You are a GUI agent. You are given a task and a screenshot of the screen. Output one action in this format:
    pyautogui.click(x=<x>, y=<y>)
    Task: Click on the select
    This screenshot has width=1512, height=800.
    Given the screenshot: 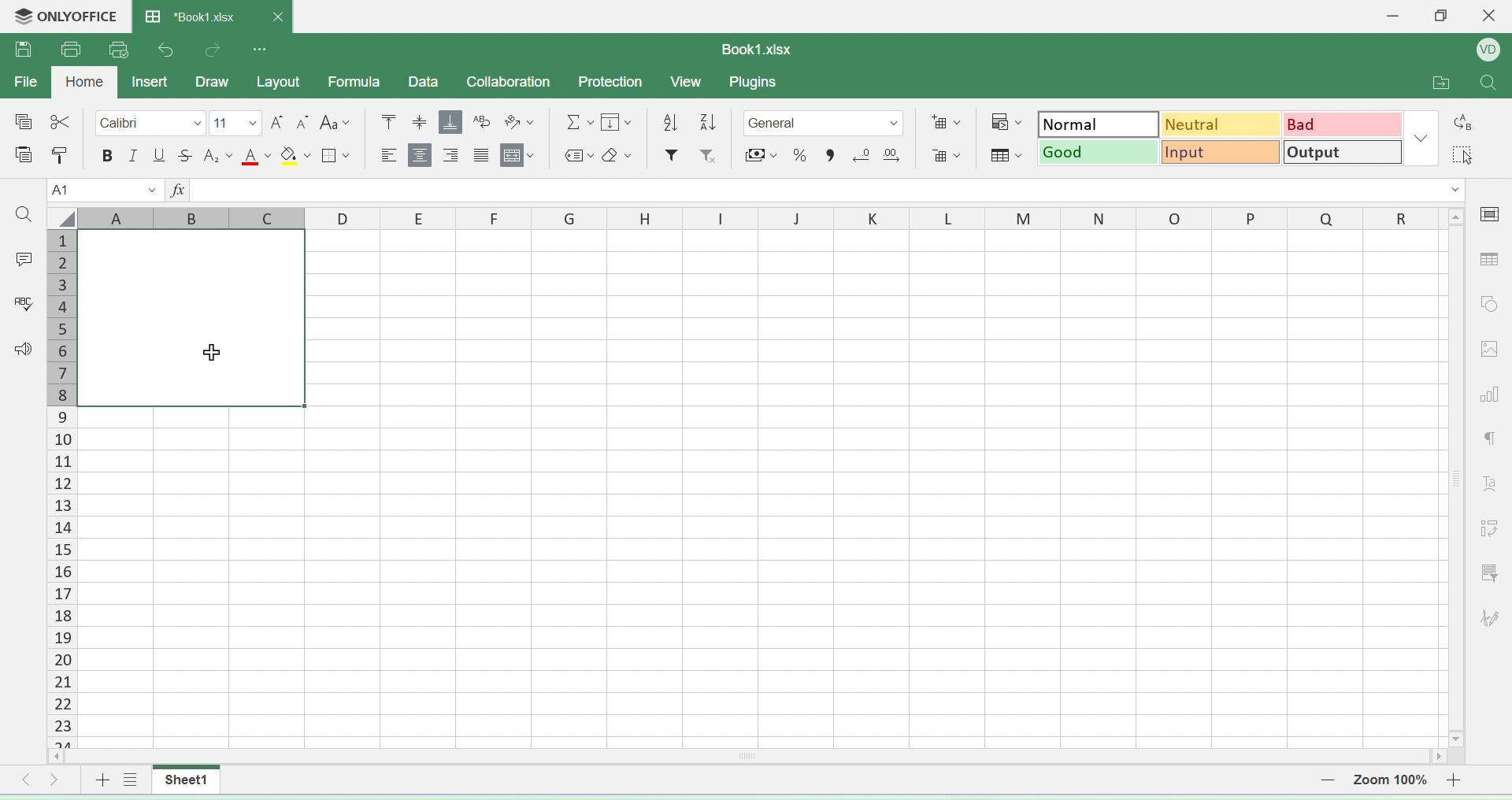 What is the action you would take?
    pyautogui.click(x=1464, y=155)
    